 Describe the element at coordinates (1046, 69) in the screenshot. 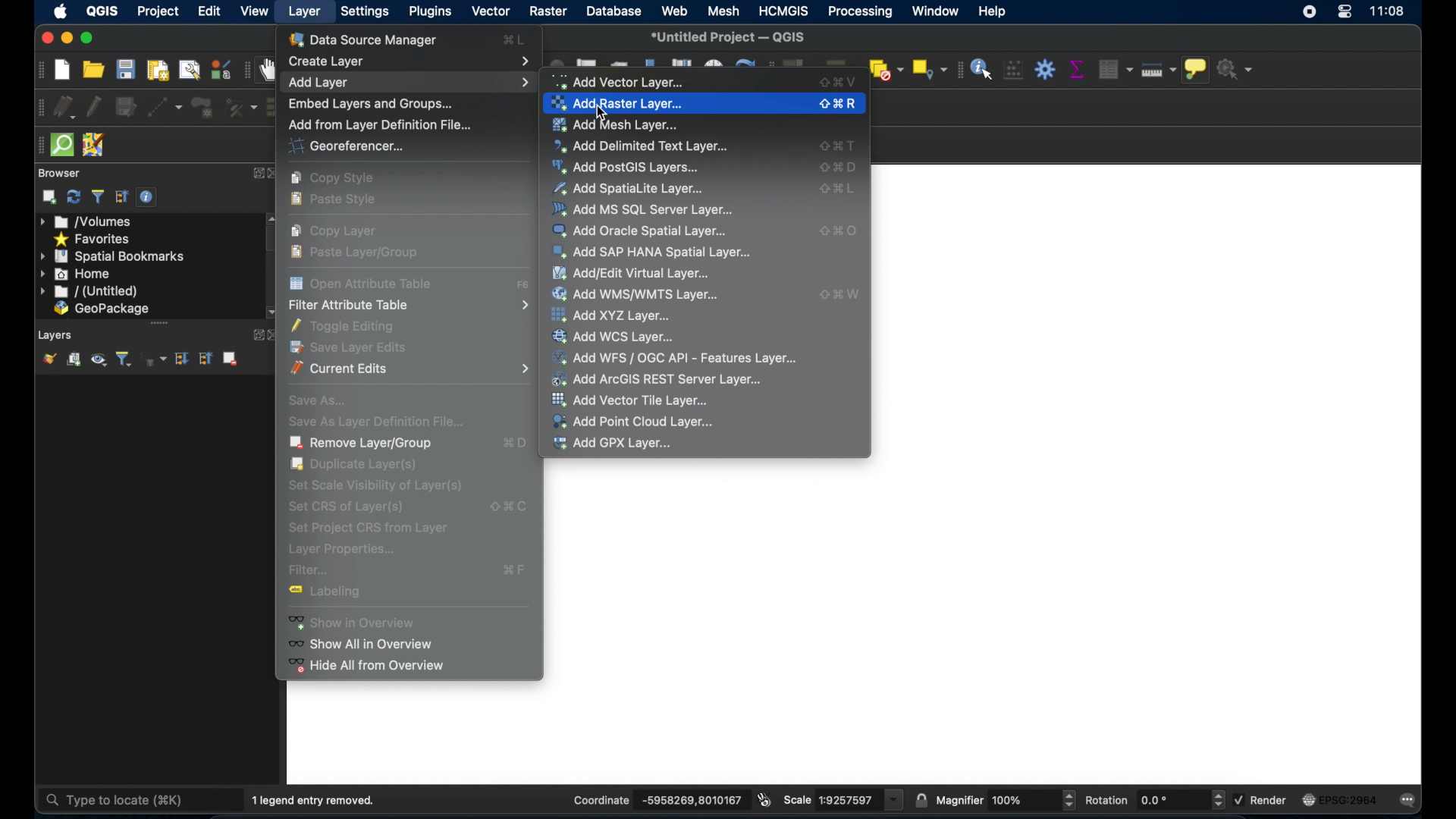

I see `toolbox` at that location.